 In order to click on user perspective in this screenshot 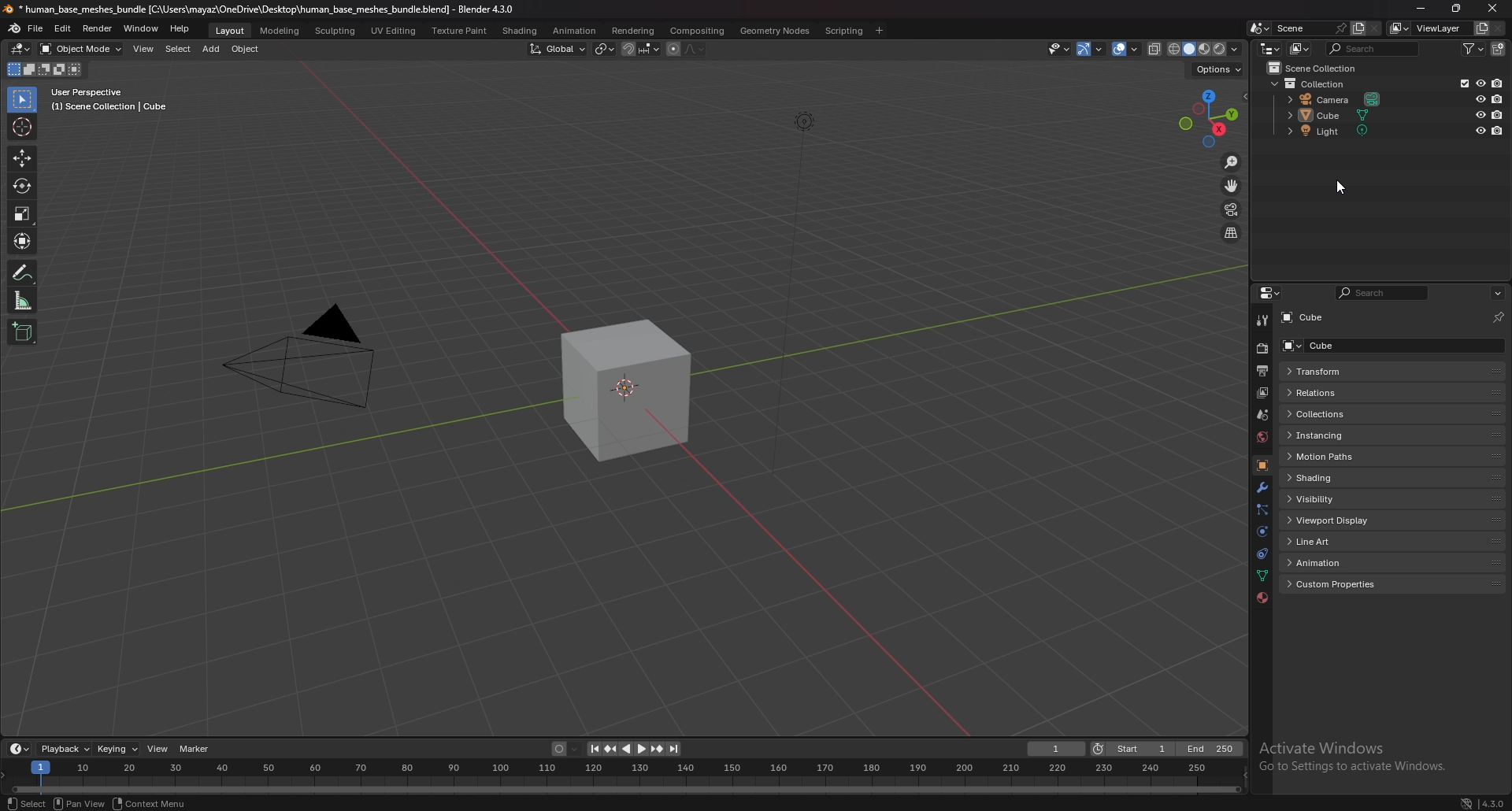, I will do `click(106, 100)`.